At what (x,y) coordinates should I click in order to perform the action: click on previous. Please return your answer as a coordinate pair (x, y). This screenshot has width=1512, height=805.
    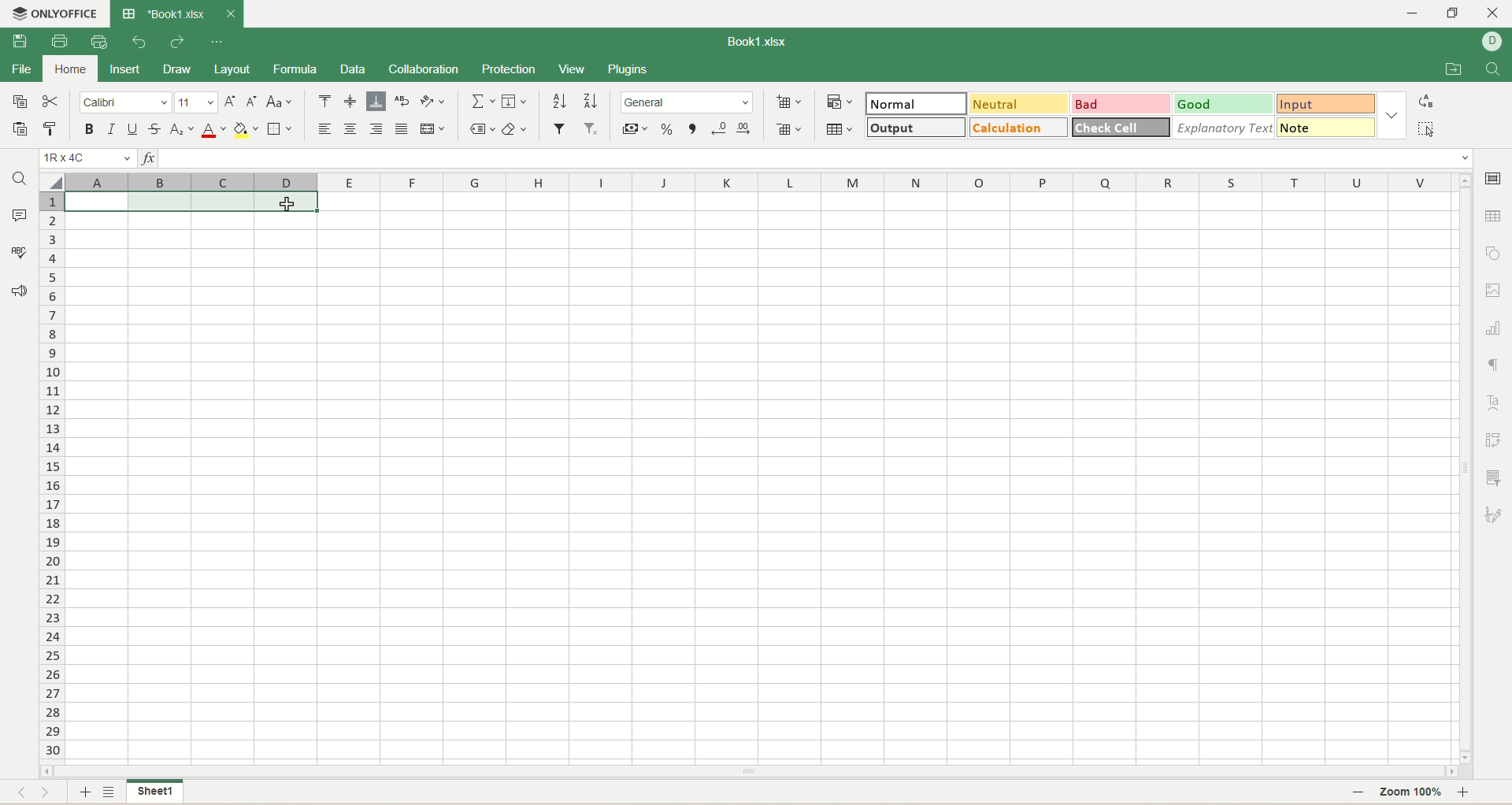
    Looking at the image, I should click on (18, 794).